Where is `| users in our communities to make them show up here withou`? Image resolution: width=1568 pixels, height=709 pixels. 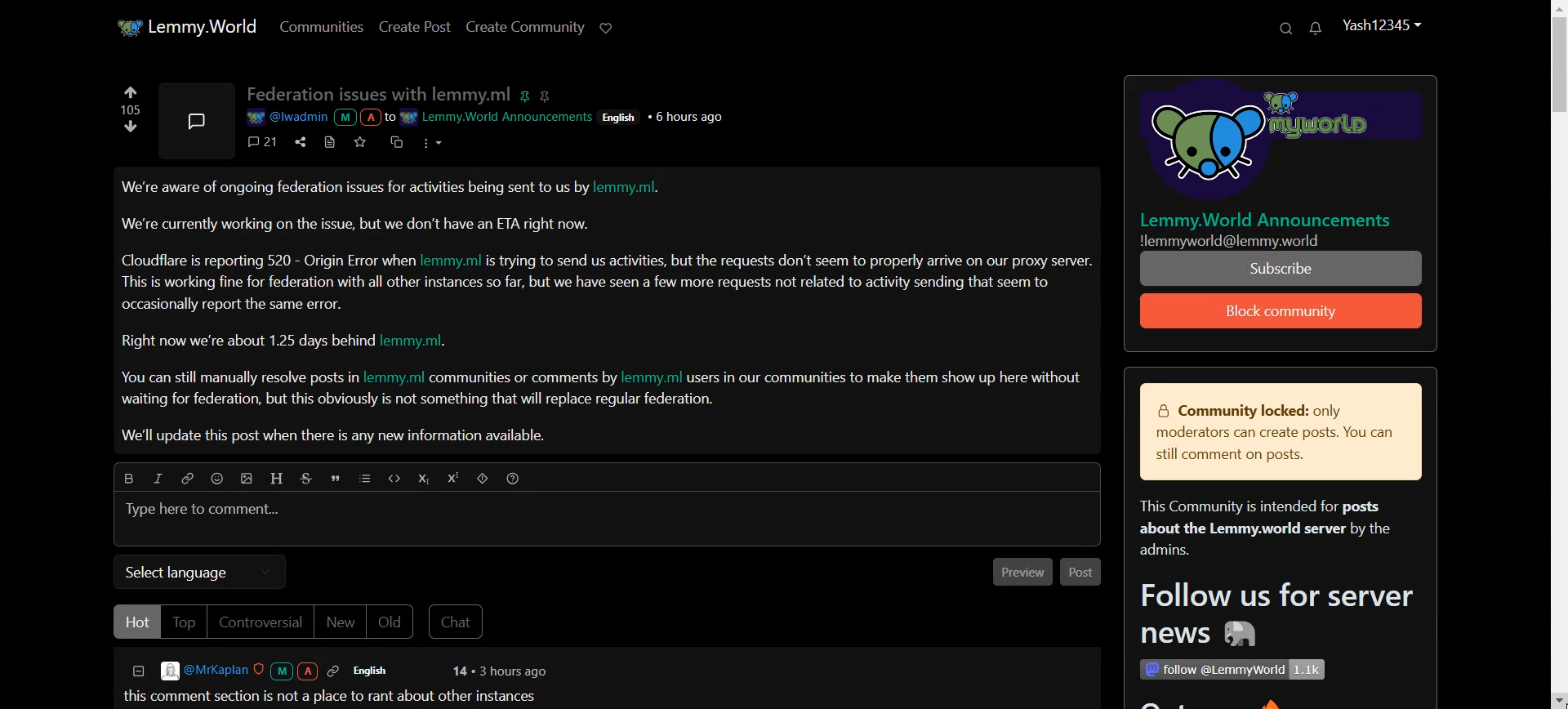
| users in our communities to make them show up here withou is located at coordinates (884, 377).